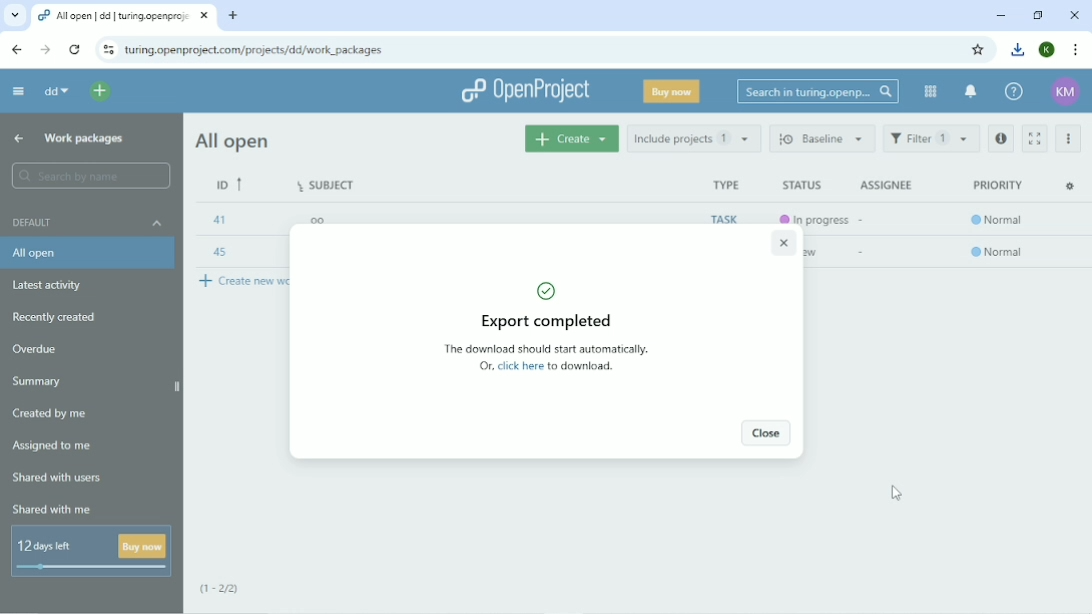  What do you see at coordinates (55, 447) in the screenshot?
I see `Assigned to me` at bounding box center [55, 447].